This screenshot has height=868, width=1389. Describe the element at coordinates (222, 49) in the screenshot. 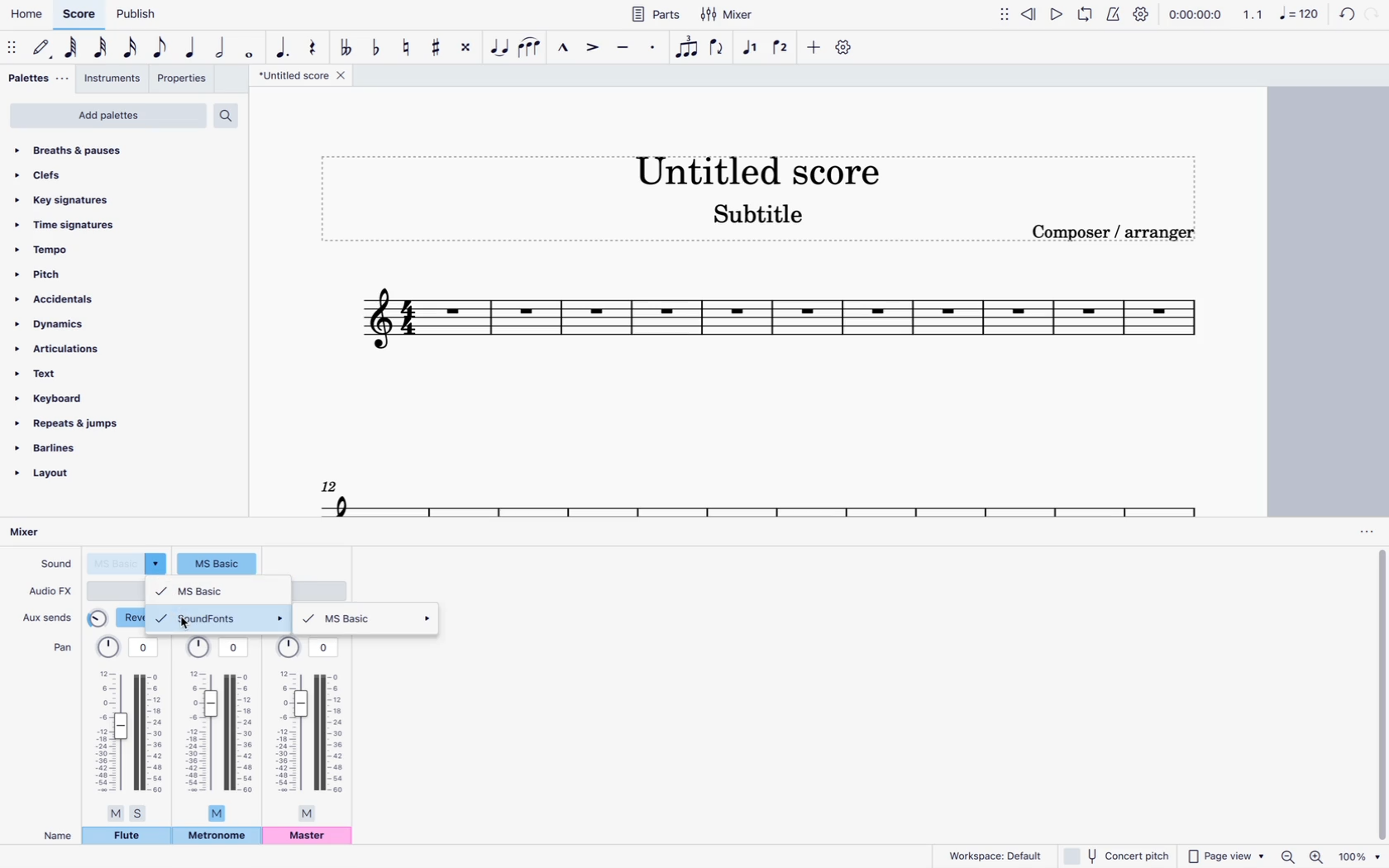

I see `half note` at that location.